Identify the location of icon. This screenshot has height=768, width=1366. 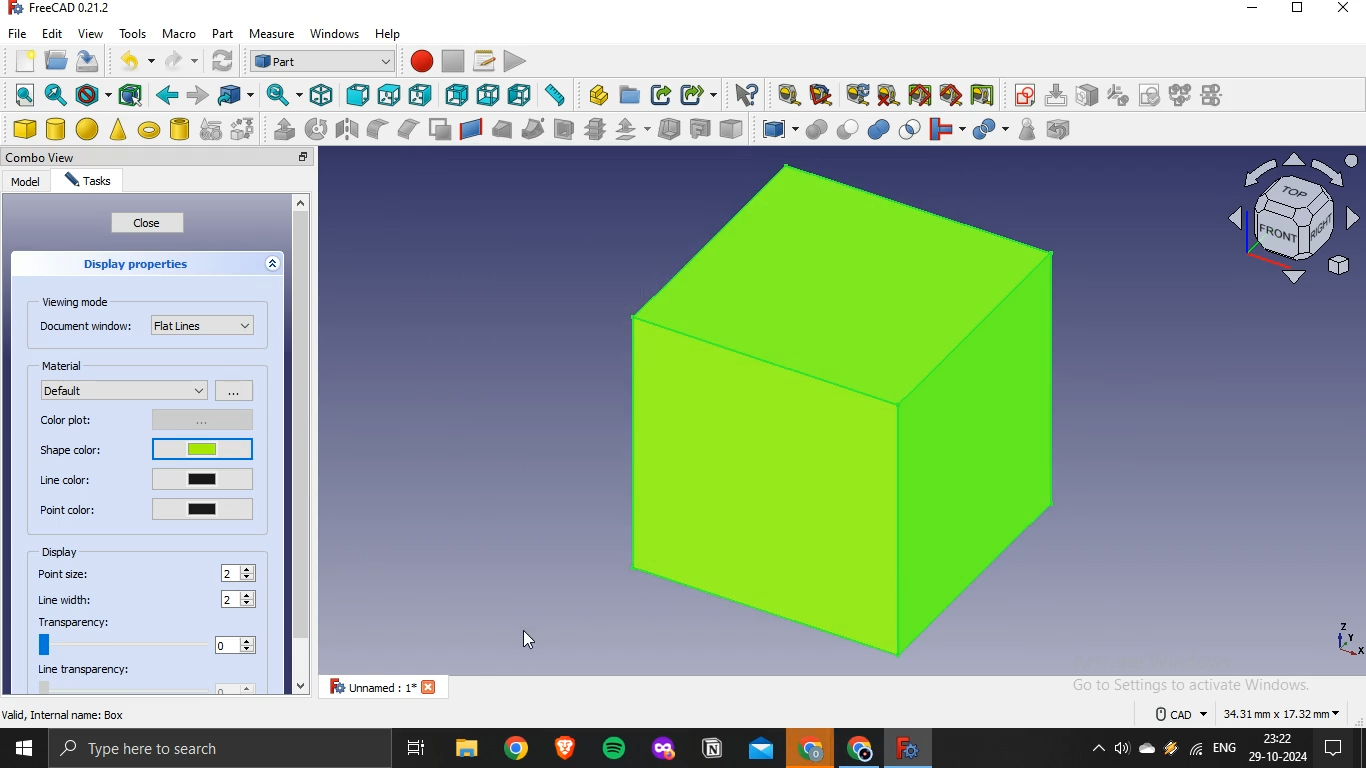
(1118, 94).